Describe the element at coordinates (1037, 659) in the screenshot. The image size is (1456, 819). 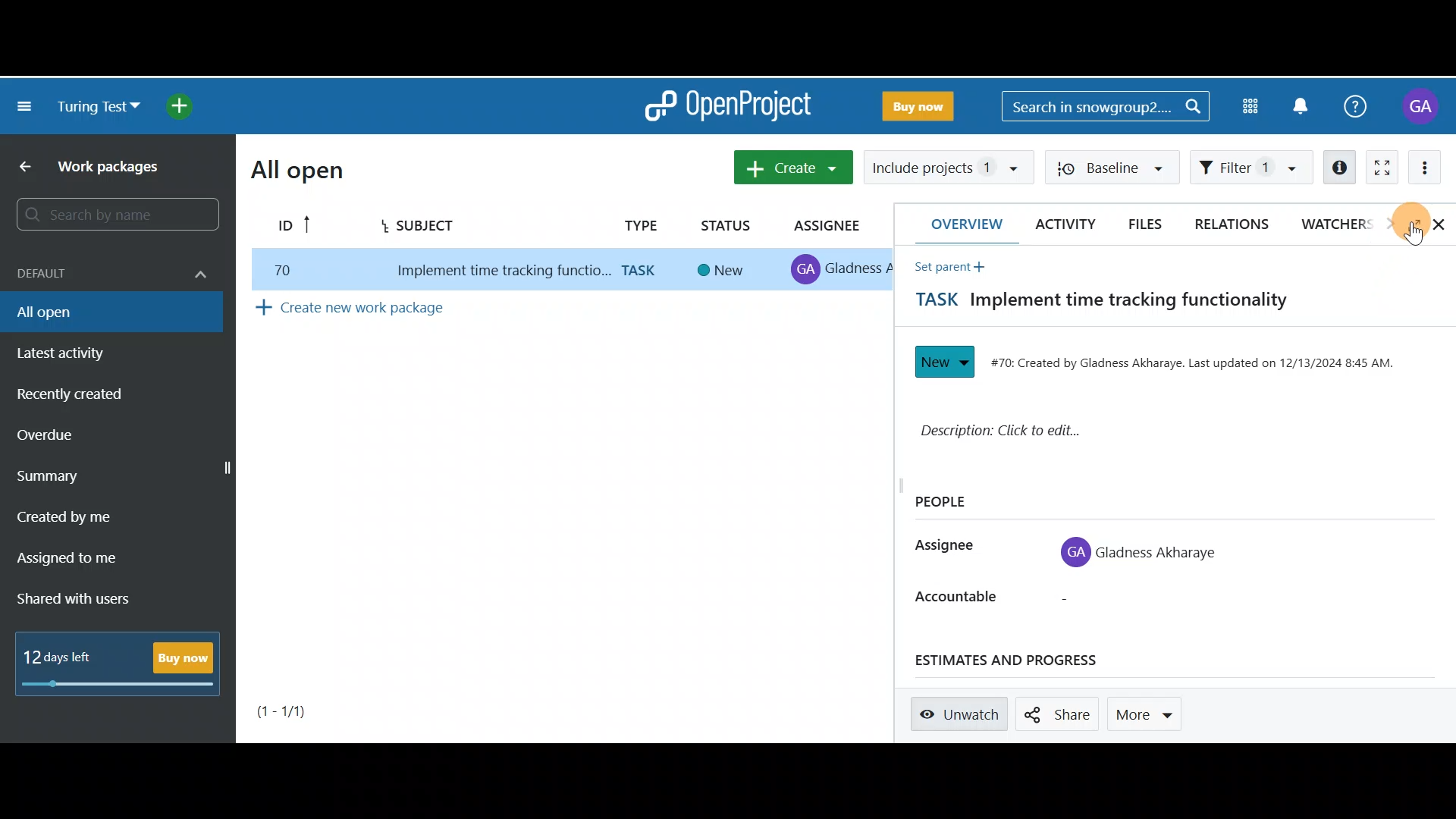
I see `Estimates and progress` at that location.